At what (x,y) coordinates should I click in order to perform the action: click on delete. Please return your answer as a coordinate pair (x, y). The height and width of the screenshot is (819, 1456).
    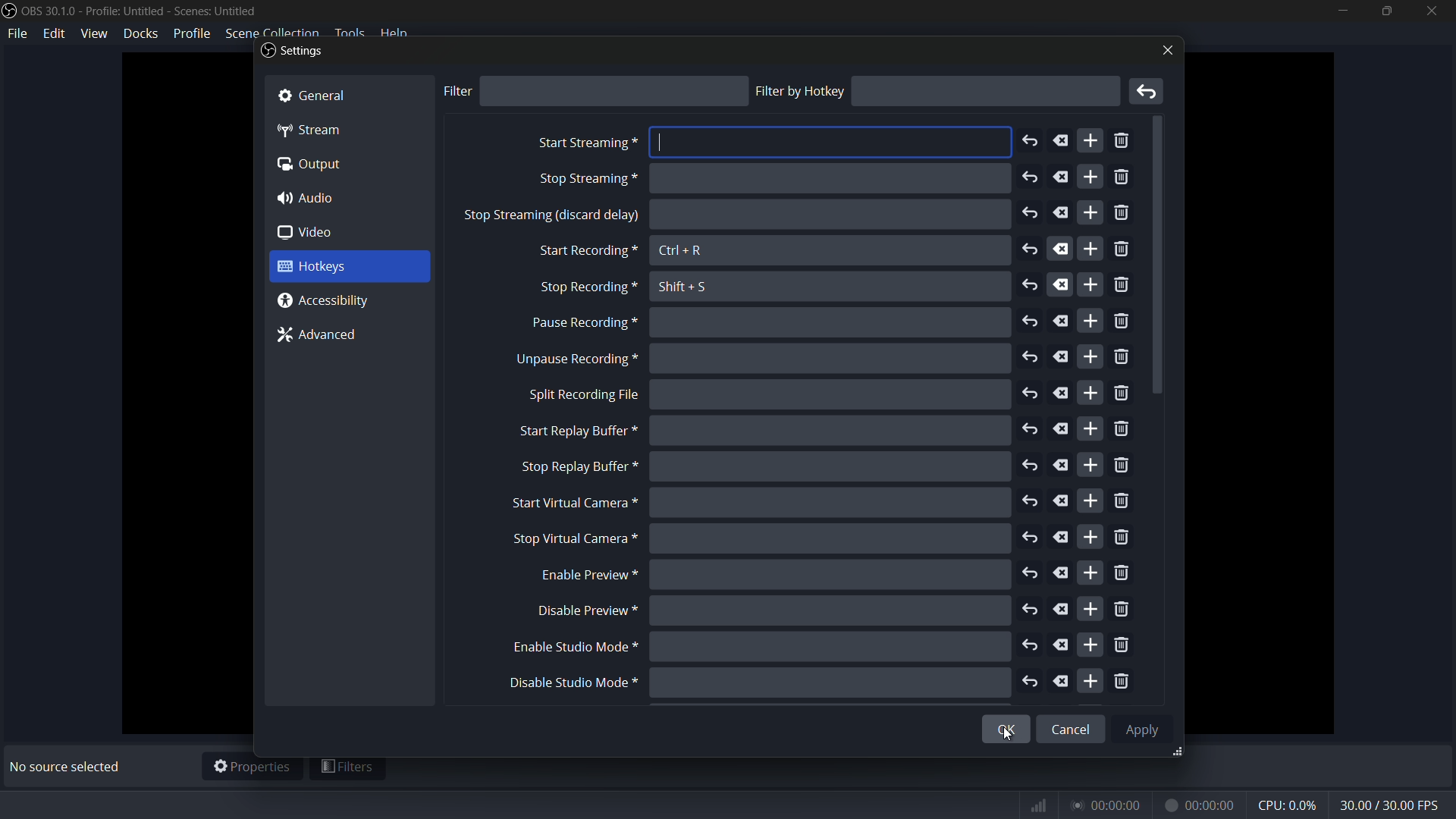
    Looking at the image, I should click on (1062, 215).